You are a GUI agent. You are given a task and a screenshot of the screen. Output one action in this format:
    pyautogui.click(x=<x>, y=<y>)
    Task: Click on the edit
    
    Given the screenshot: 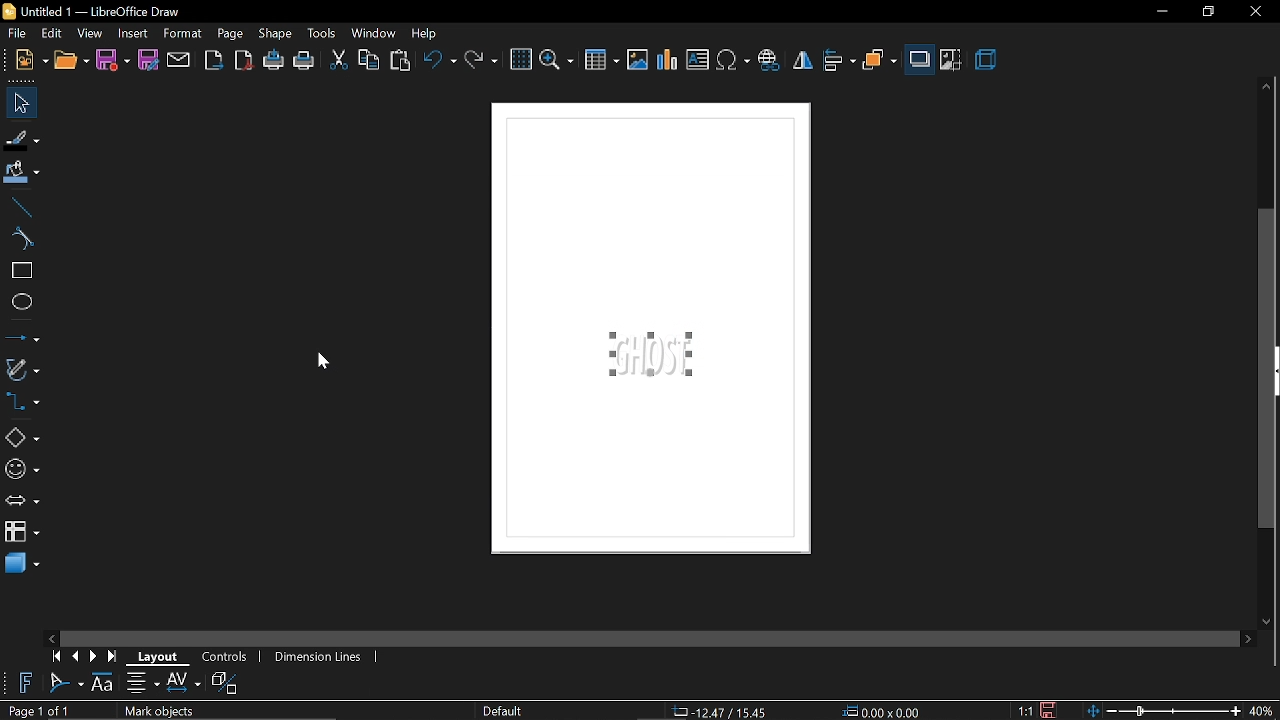 What is the action you would take?
    pyautogui.click(x=54, y=32)
    